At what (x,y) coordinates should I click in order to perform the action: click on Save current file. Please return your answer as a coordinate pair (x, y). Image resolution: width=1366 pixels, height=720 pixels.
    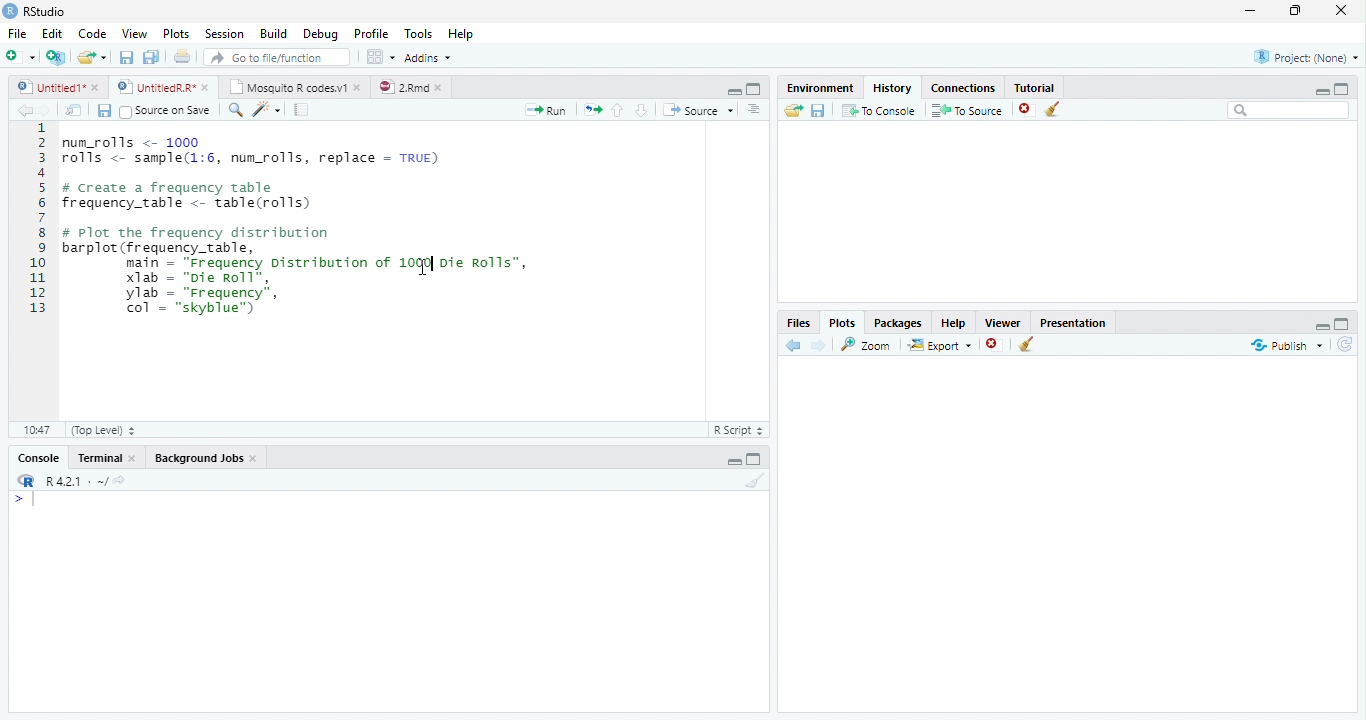
    Looking at the image, I should click on (126, 57).